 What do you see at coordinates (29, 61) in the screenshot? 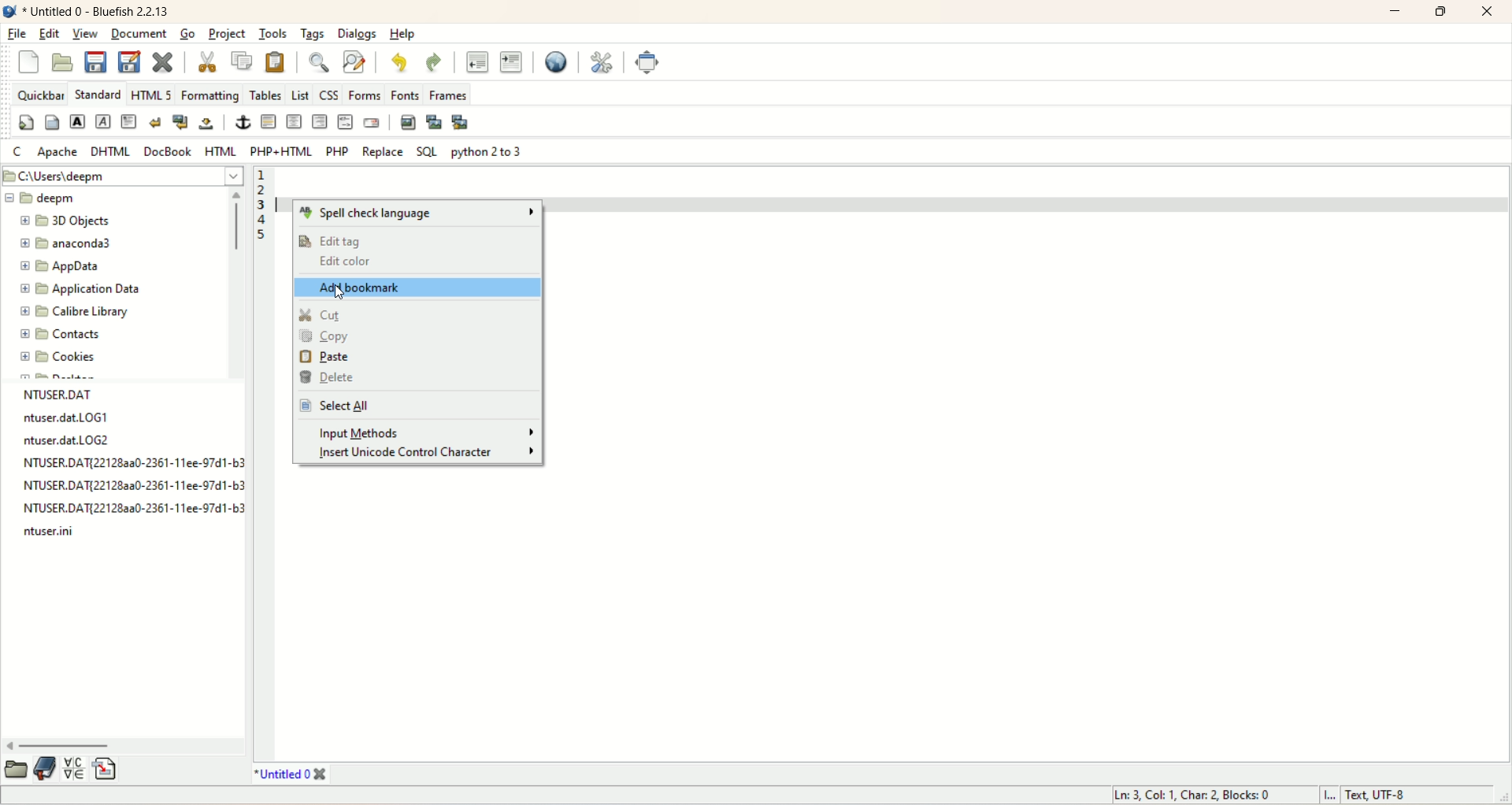
I see `new` at bounding box center [29, 61].